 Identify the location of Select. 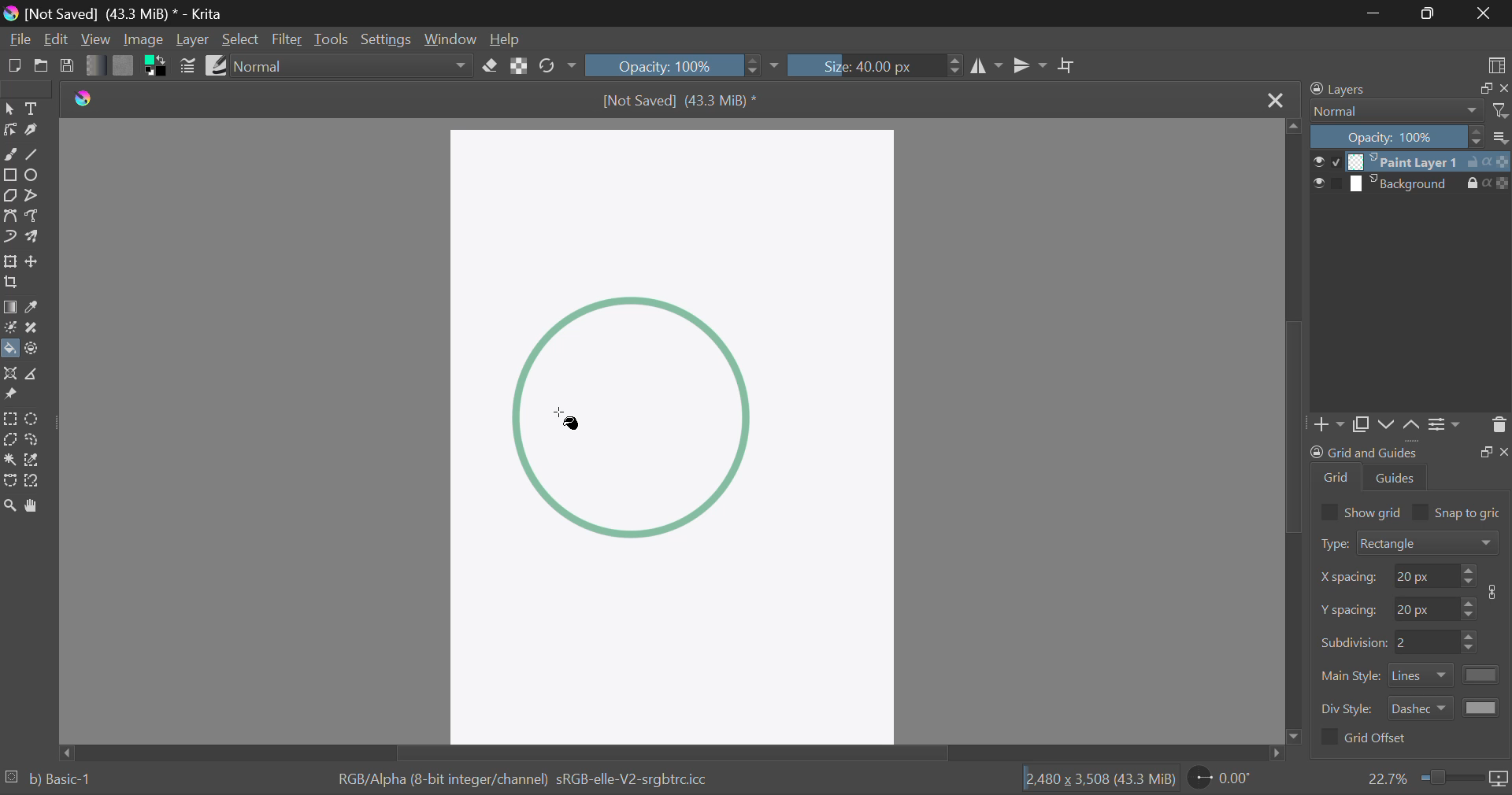
(10, 109).